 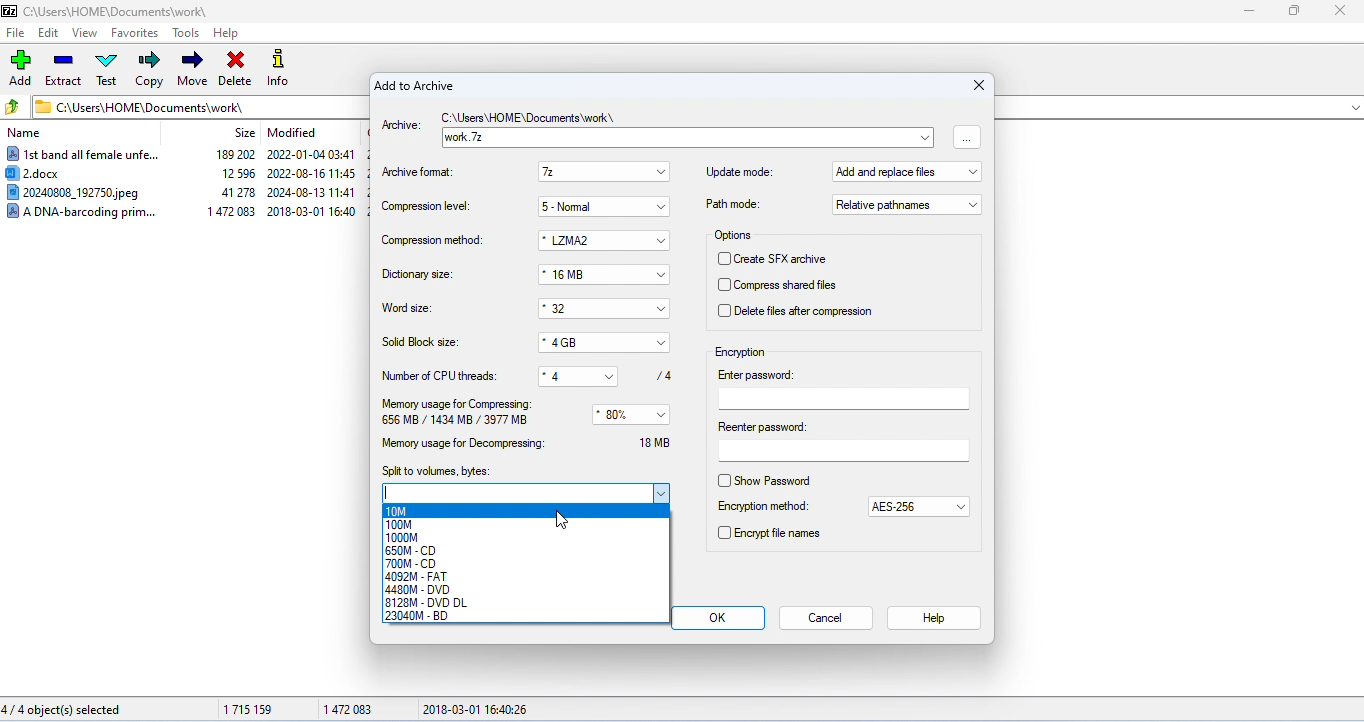 What do you see at coordinates (429, 603) in the screenshot?
I see `8128-DVD DL` at bounding box center [429, 603].